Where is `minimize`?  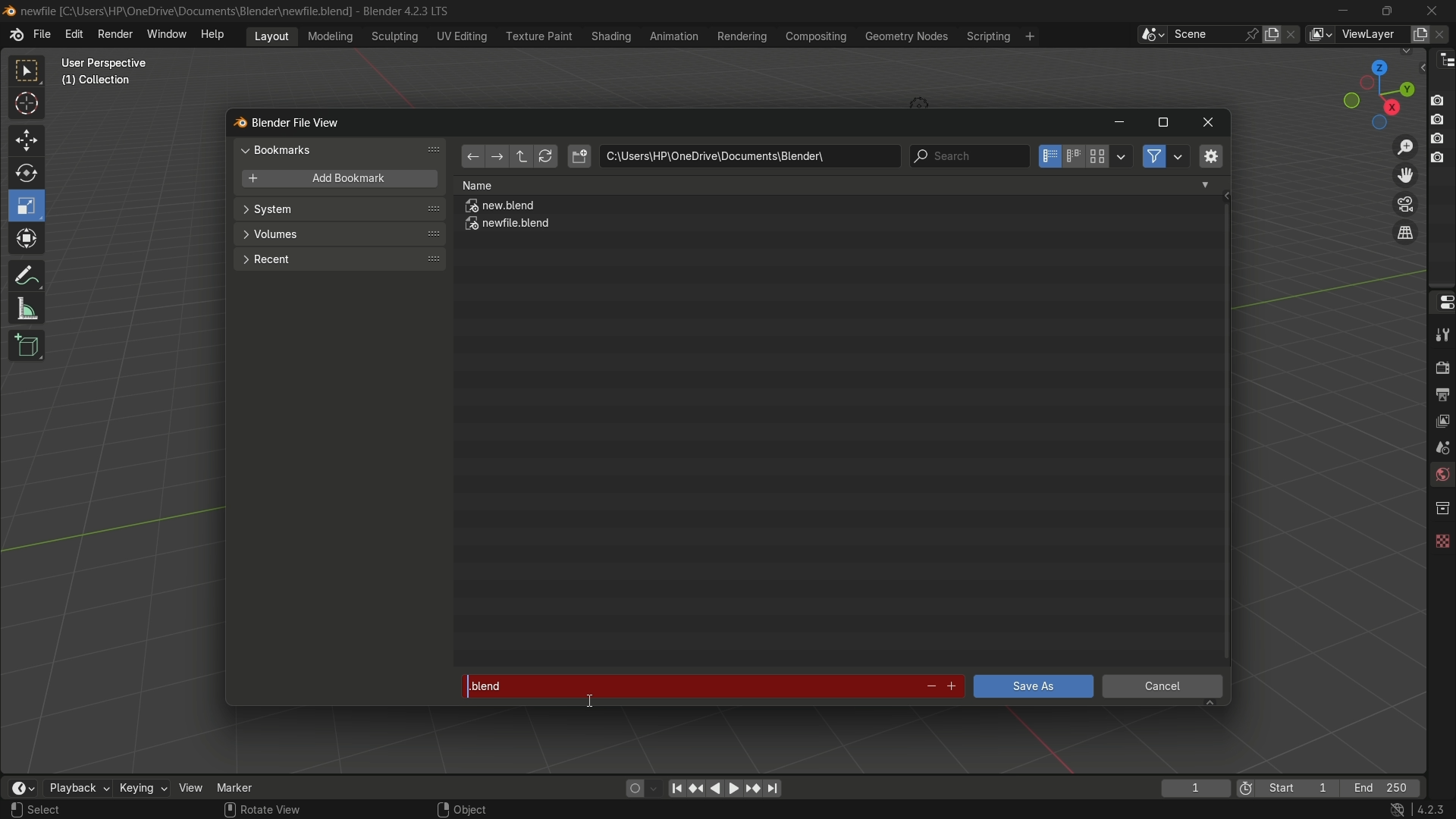
minimize is located at coordinates (1119, 124).